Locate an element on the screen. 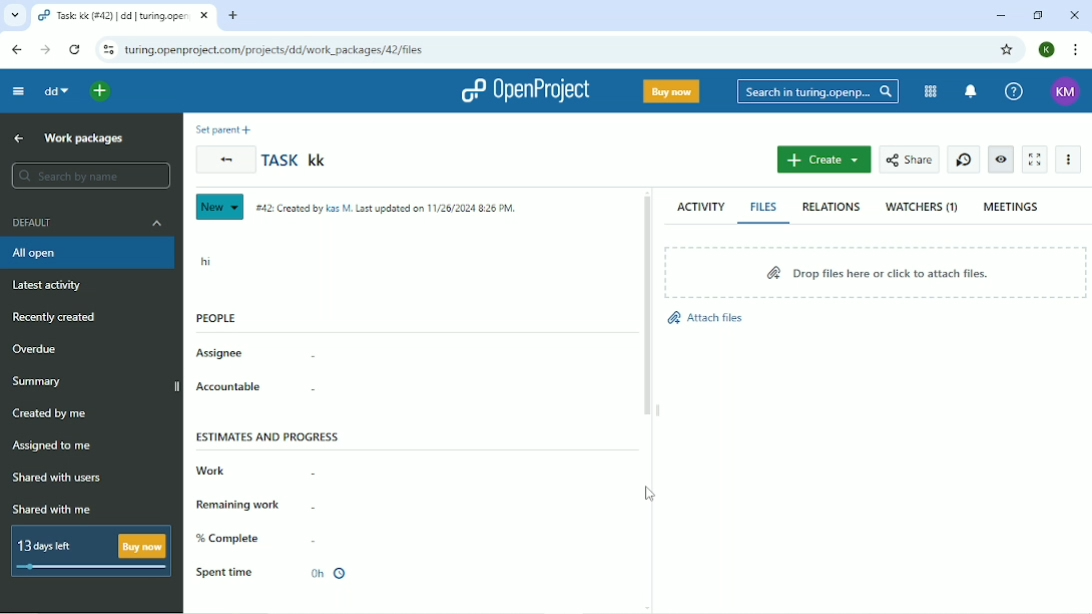 The height and width of the screenshot is (614, 1092). Reload this page is located at coordinates (77, 50).